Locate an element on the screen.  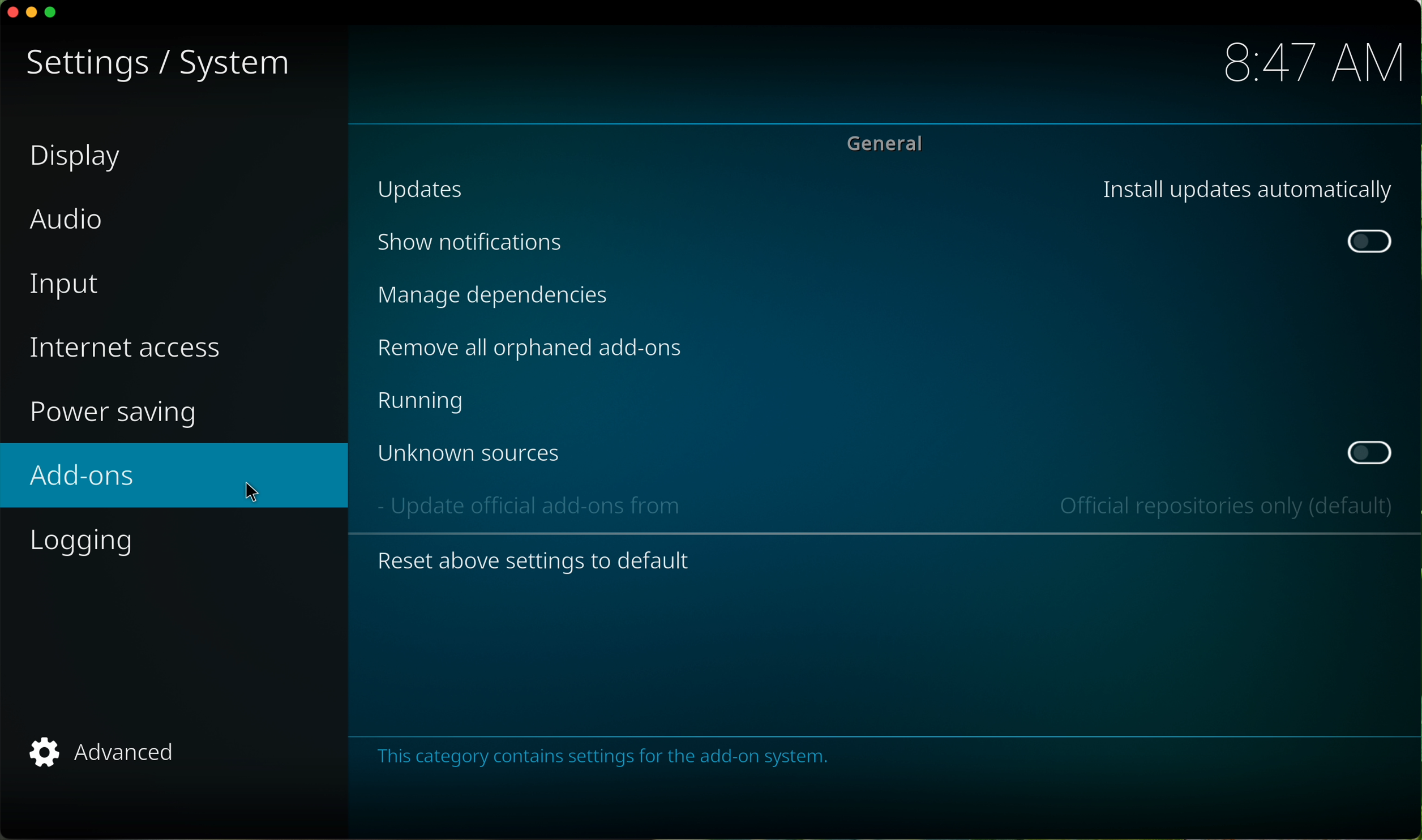
internet access is located at coordinates (130, 349).